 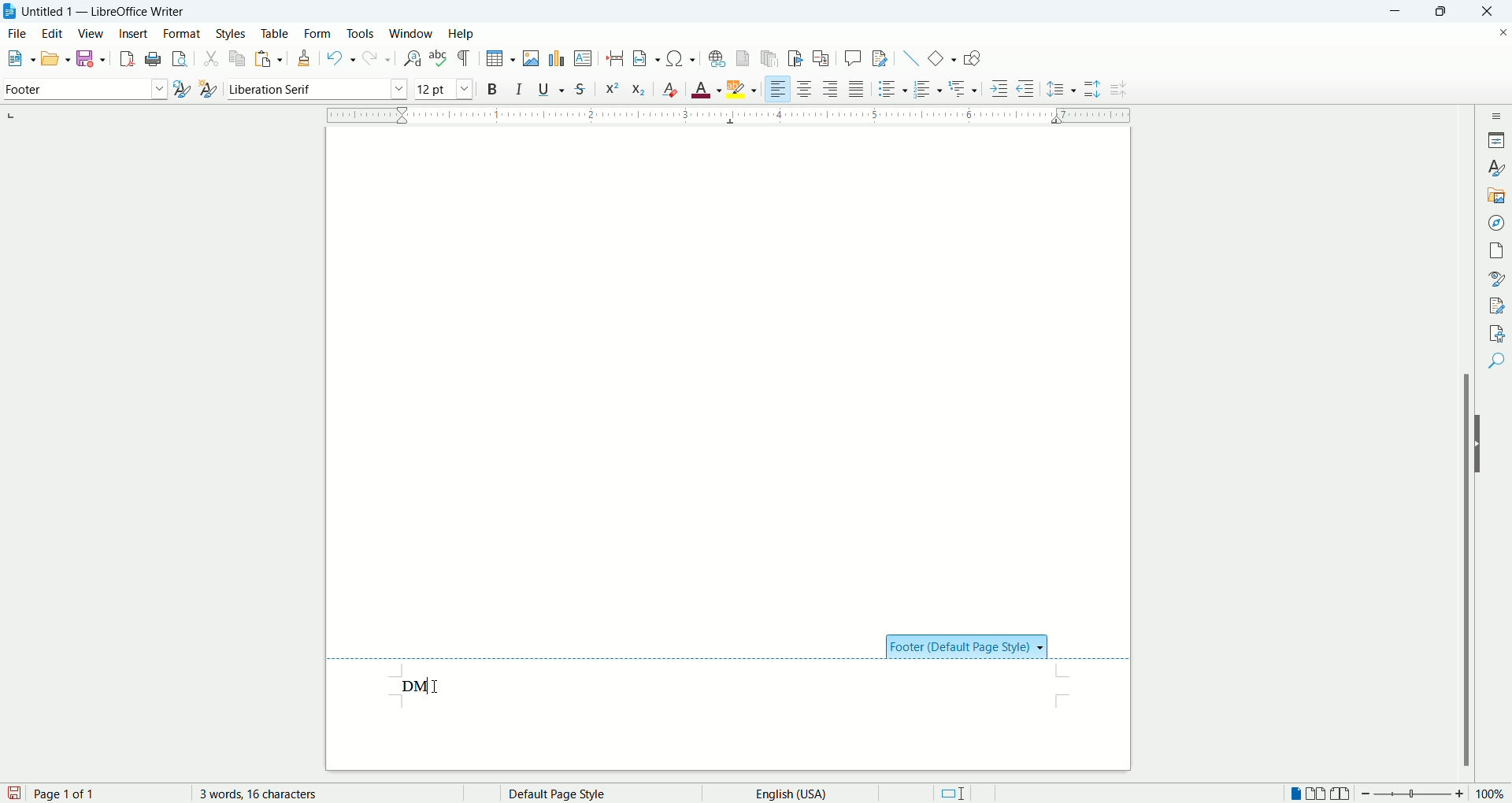 What do you see at coordinates (1499, 31) in the screenshot?
I see `close document` at bounding box center [1499, 31].